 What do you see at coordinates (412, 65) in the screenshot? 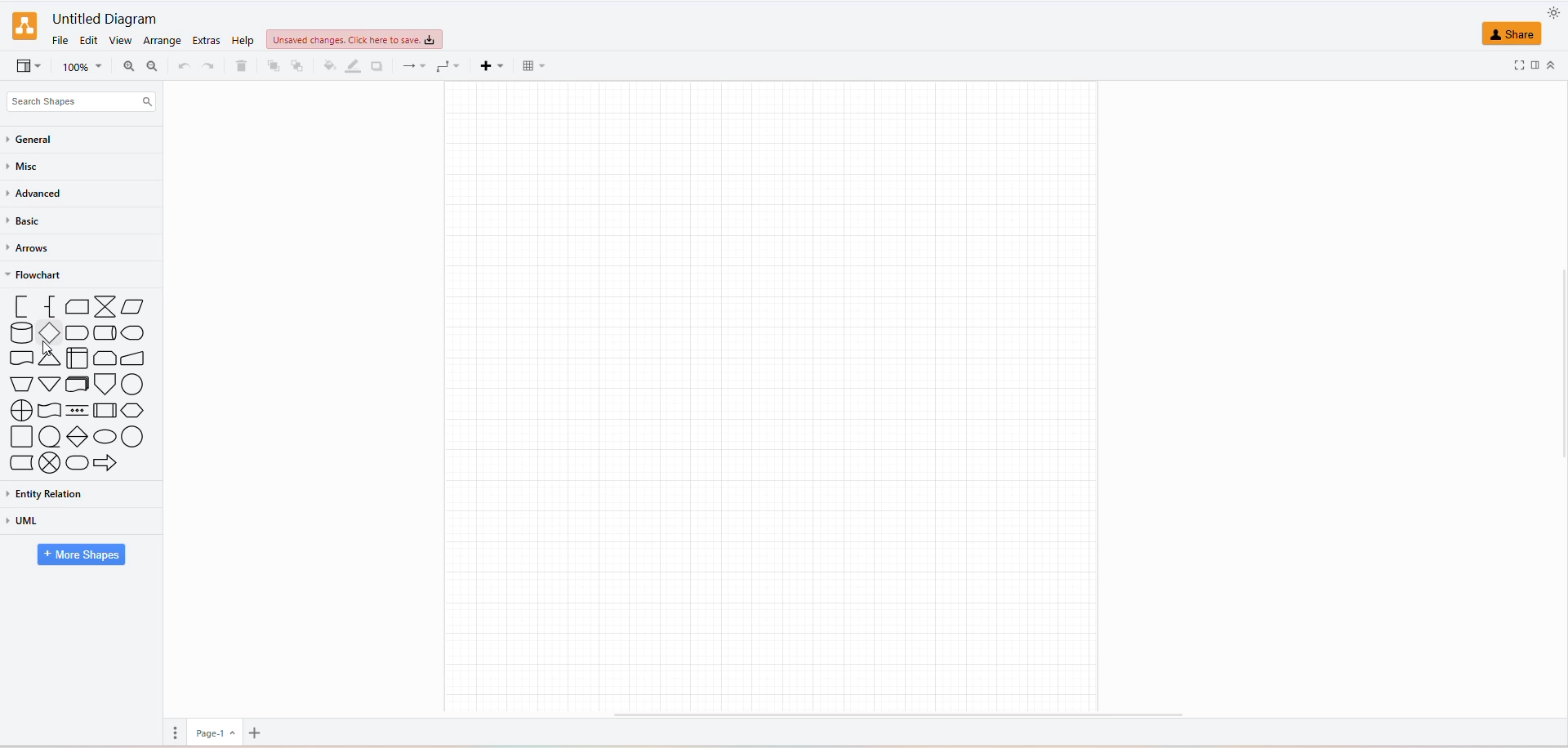
I see `CONNECTIONS` at bounding box center [412, 65].